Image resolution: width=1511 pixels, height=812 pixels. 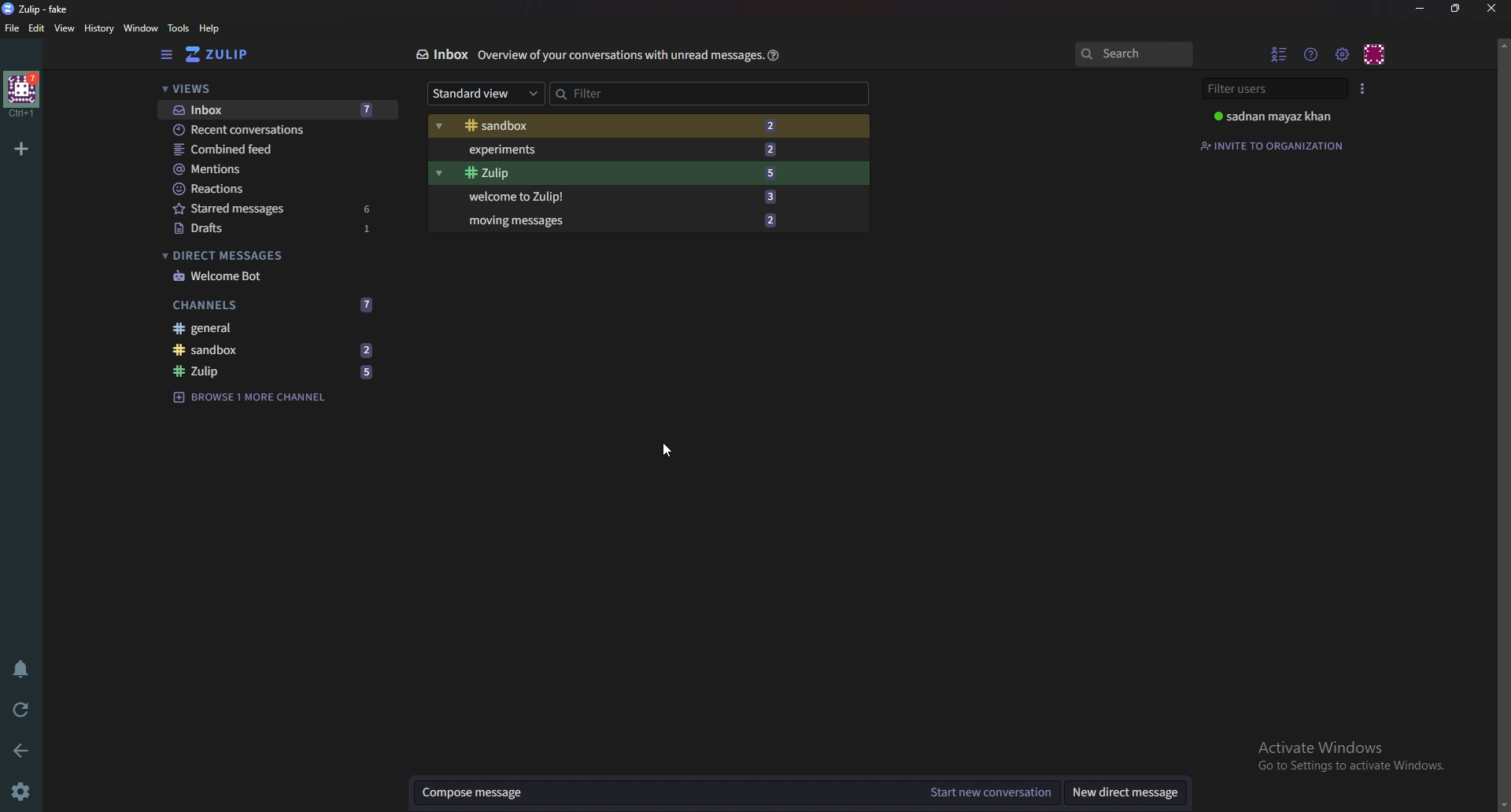 What do you see at coordinates (1343, 54) in the screenshot?
I see `Main menu` at bounding box center [1343, 54].